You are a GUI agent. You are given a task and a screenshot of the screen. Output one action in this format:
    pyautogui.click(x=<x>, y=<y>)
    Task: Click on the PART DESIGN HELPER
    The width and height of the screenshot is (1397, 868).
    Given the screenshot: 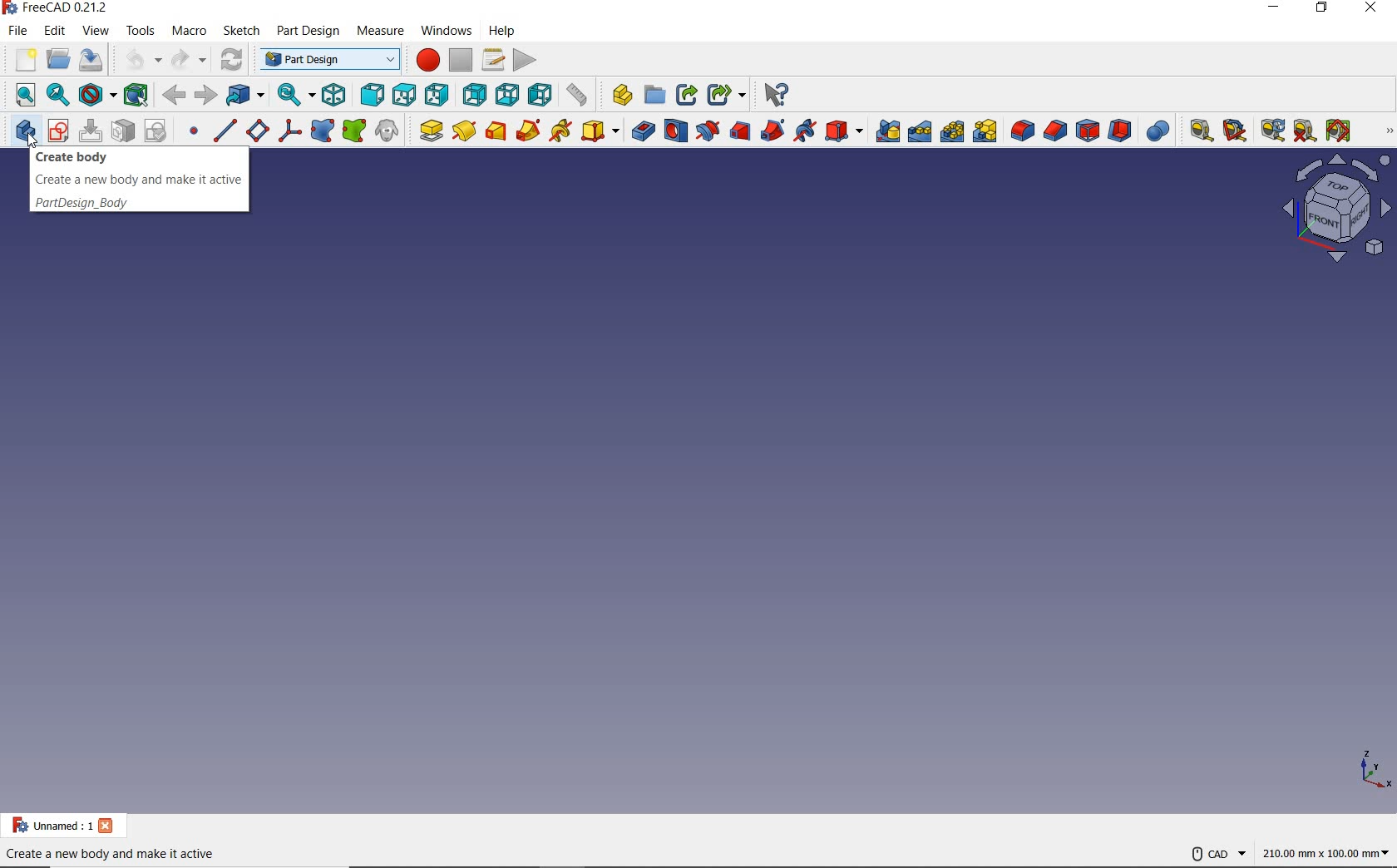 What is the action you would take?
    pyautogui.click(x=1389, y=131)
    